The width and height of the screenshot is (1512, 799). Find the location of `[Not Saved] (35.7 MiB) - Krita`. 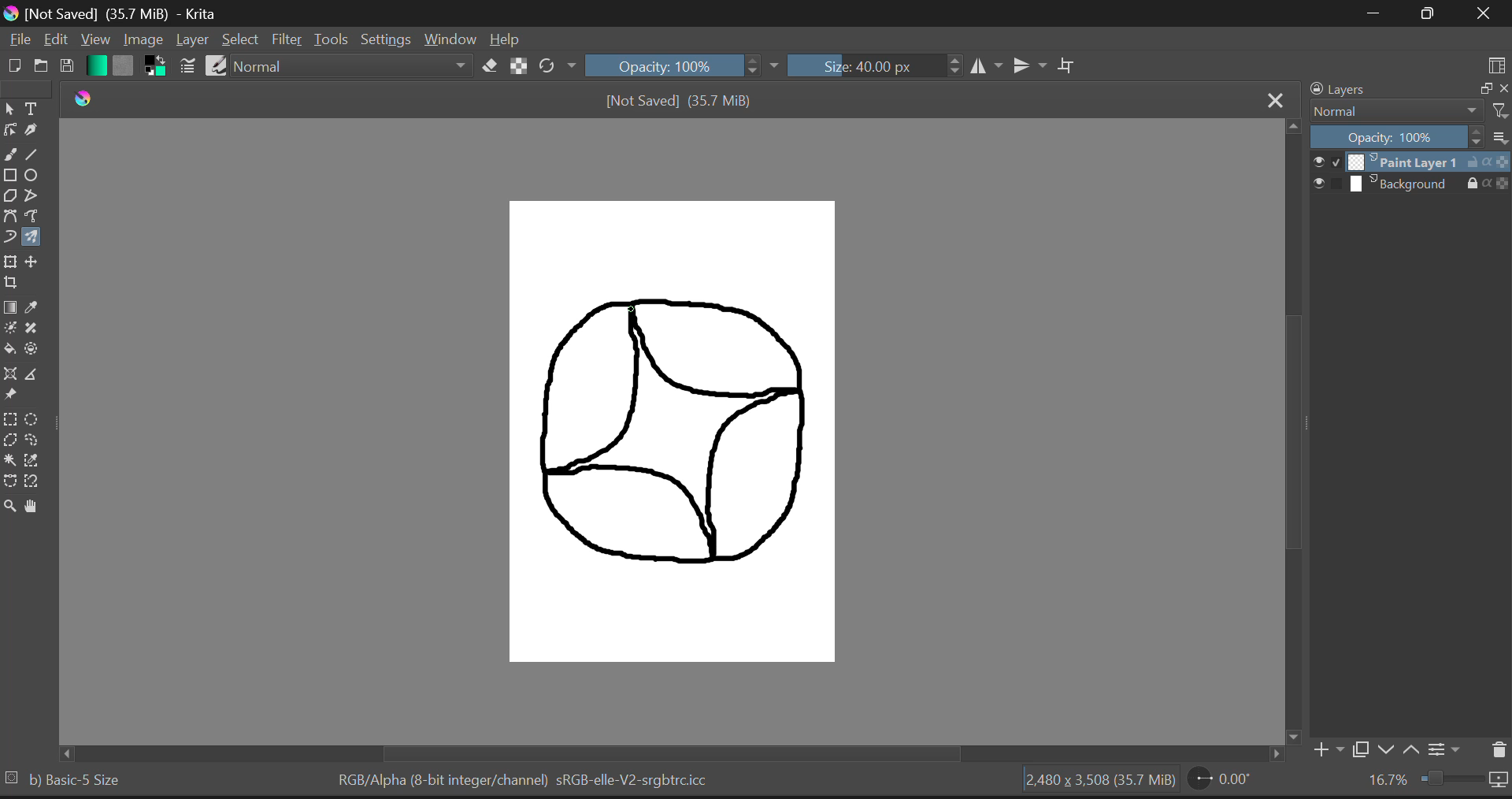

[Not Saved] (35.7 MiB) - Krita is located at coordinates (117, 13).